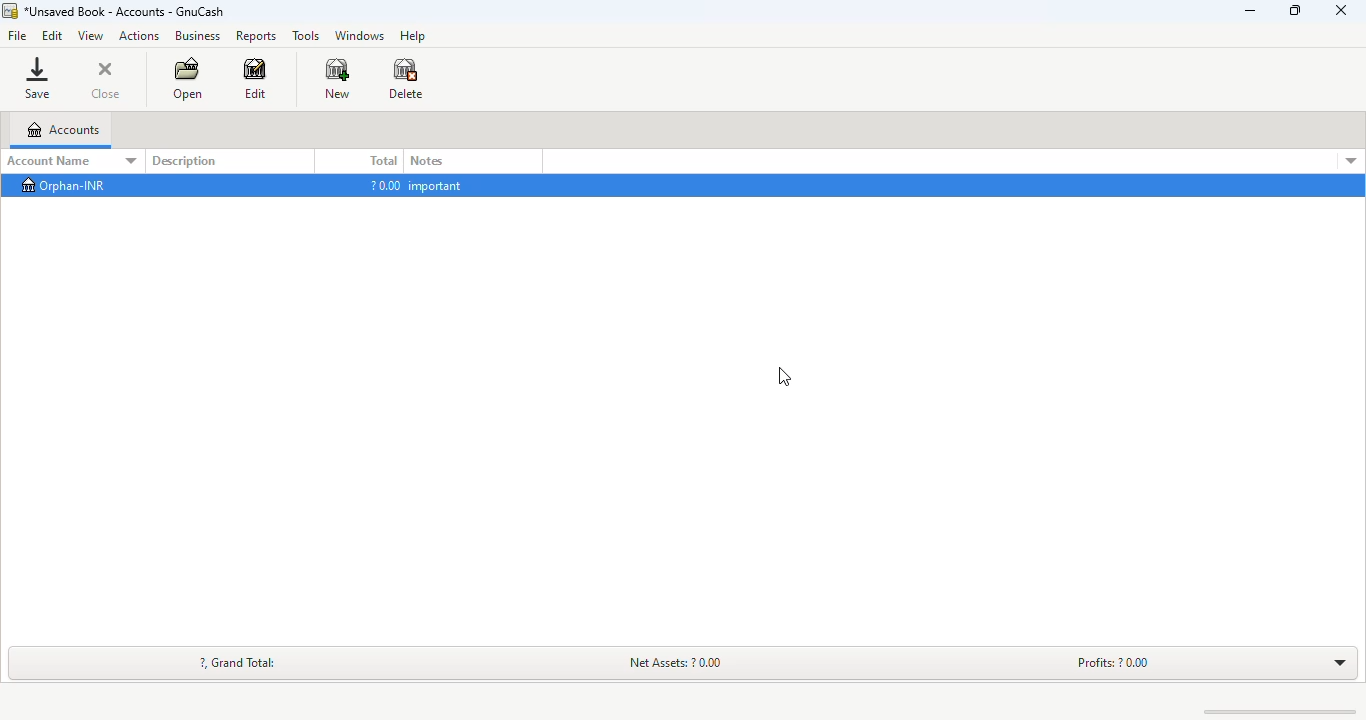 The height and width of the screenshot is (720, 1366). I want to click on notes, so click(427, 161).